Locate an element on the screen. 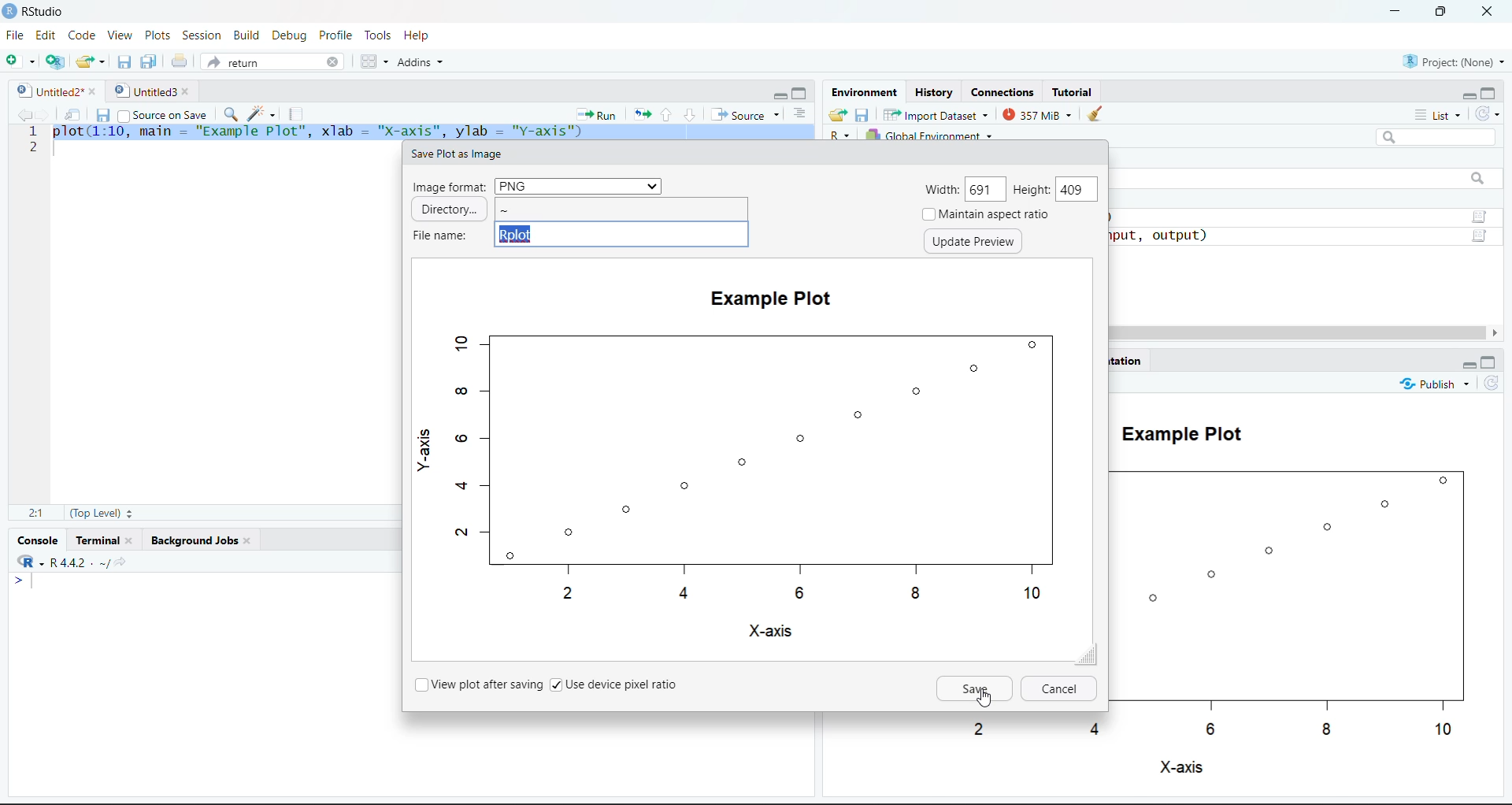 Image resolution: width=1512 pixels, height=805 pixels. Data/Table is located at coordinates (1481, 237).